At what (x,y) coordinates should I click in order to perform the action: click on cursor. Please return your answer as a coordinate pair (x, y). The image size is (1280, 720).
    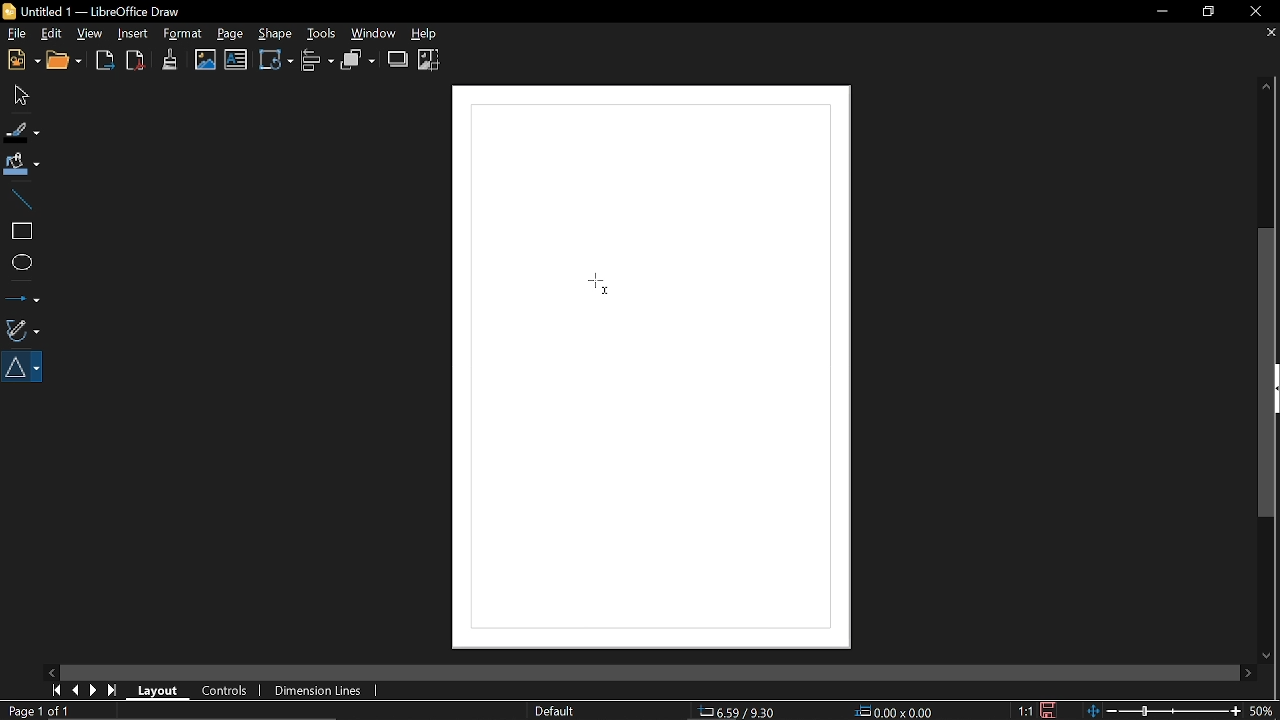
    Looking at the image, I should click on (601, 285).